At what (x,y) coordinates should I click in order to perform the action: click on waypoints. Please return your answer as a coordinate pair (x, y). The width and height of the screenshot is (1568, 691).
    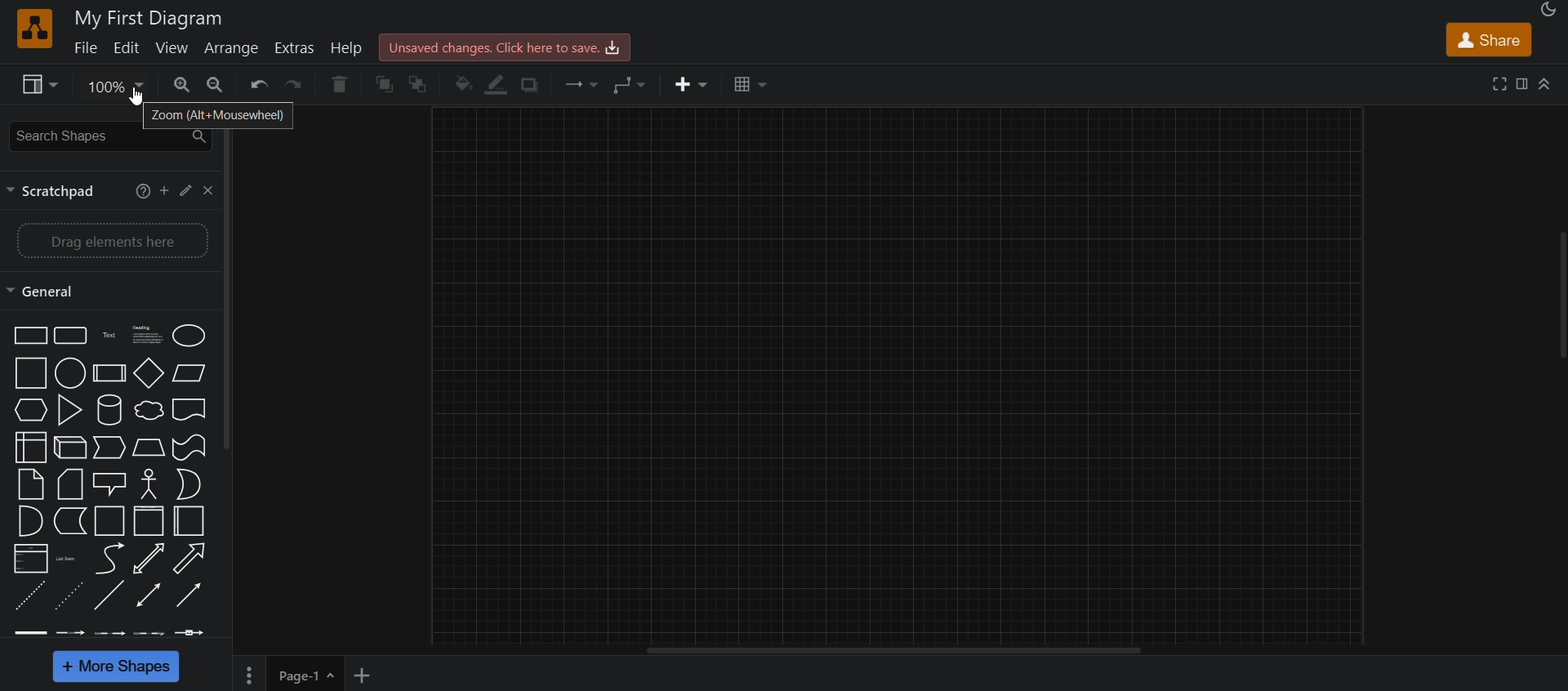
    Looking at the image, I should click on (630, 83).